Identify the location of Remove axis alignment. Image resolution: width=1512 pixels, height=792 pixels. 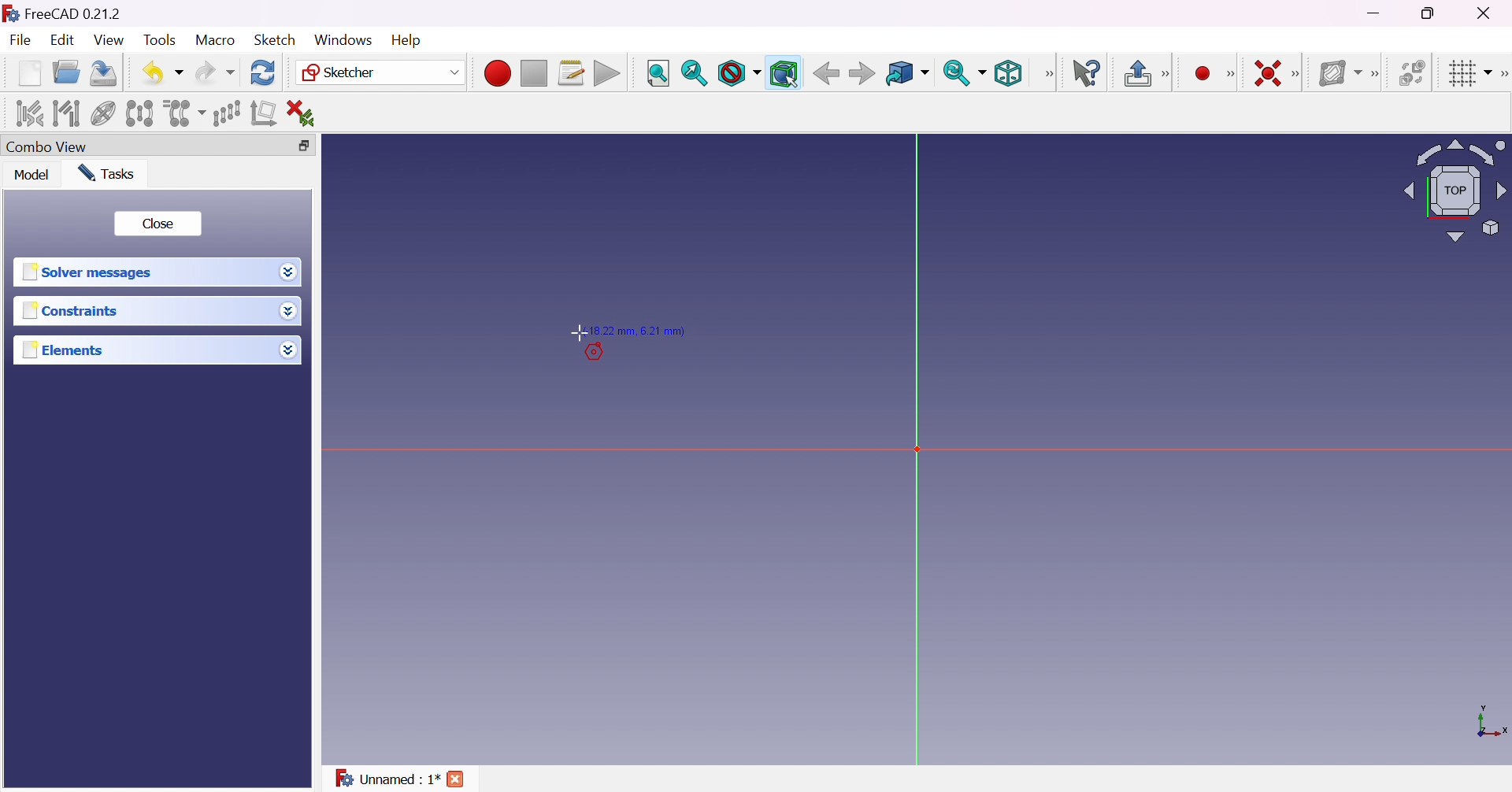
(265, 112).